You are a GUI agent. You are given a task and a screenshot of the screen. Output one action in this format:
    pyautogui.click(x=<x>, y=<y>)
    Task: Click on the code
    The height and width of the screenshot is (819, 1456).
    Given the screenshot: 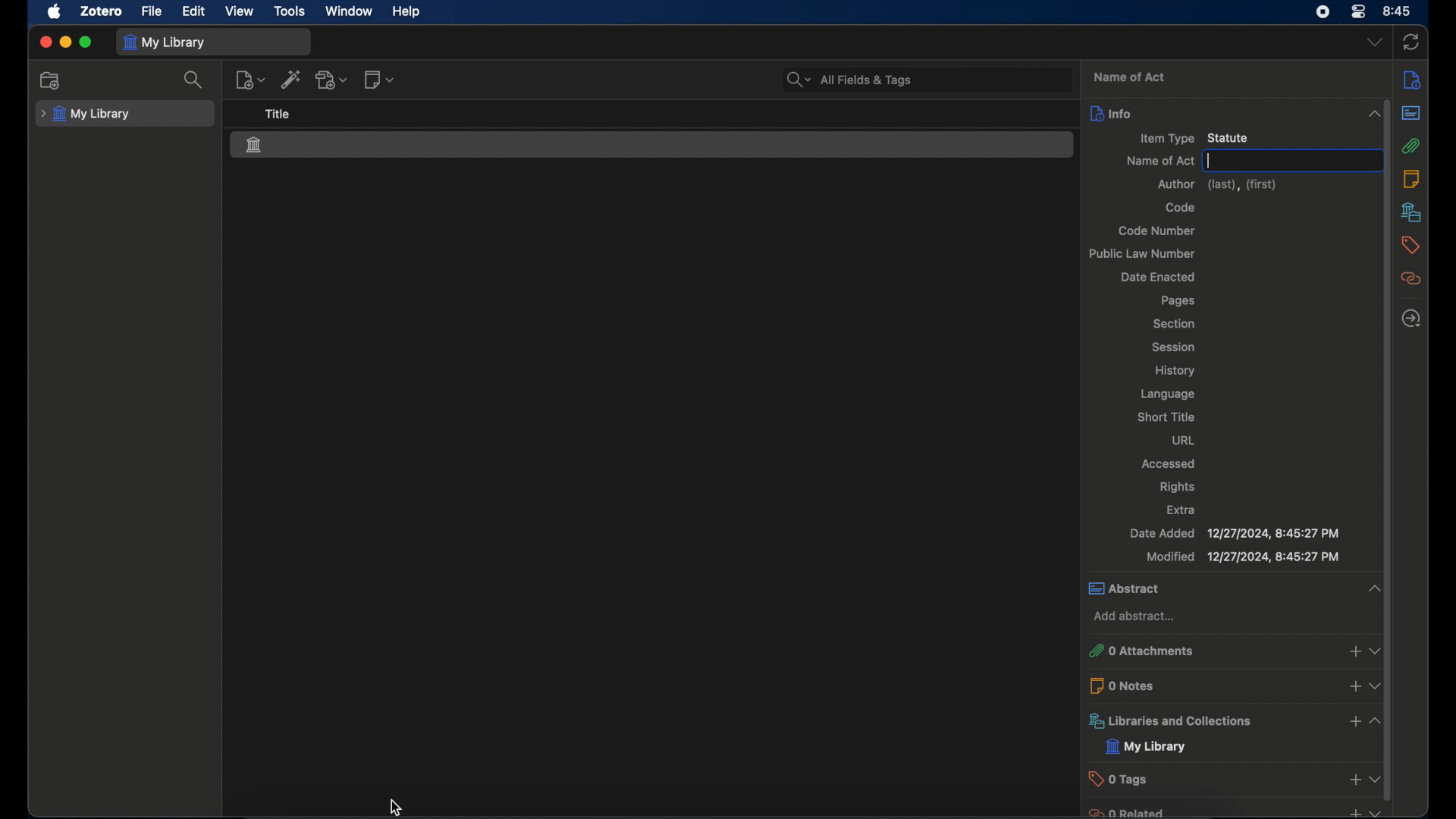 What is the action you would take?
    pyautogui.click(x=1180, y=207)
    